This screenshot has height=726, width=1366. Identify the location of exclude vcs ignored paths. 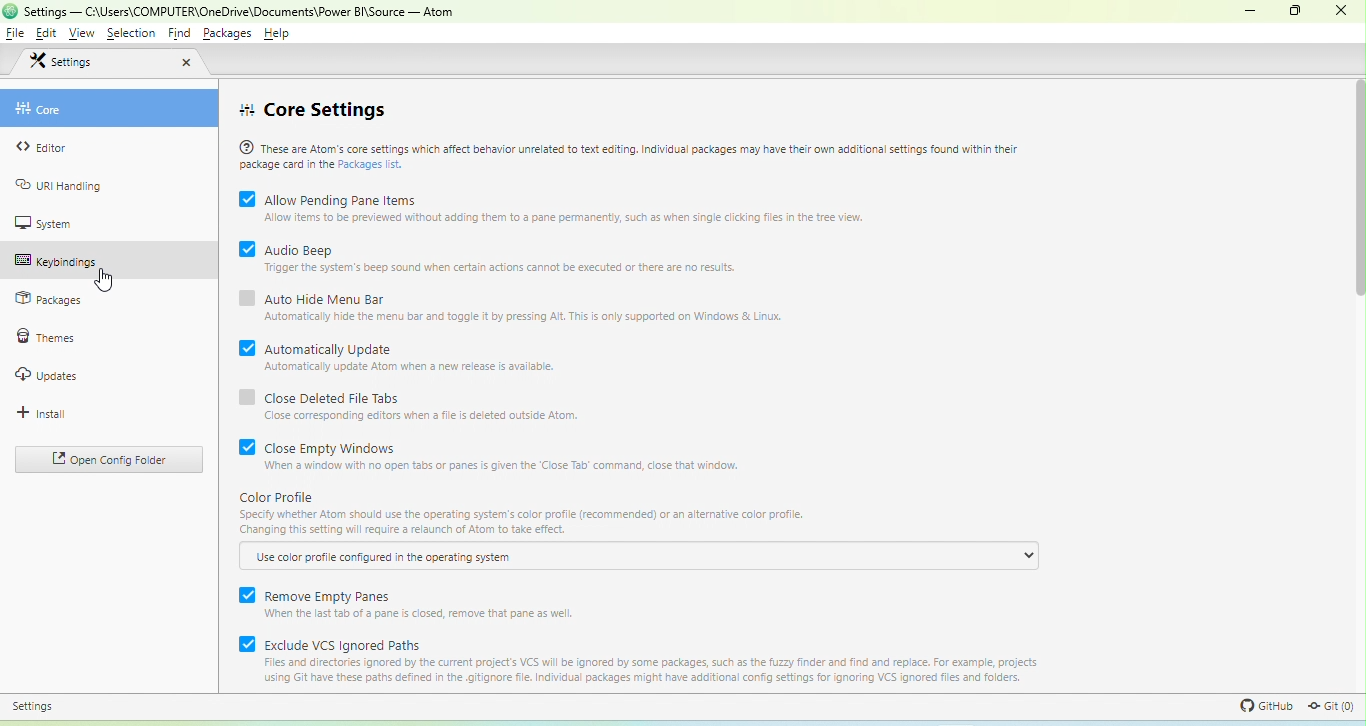
(331, 642).